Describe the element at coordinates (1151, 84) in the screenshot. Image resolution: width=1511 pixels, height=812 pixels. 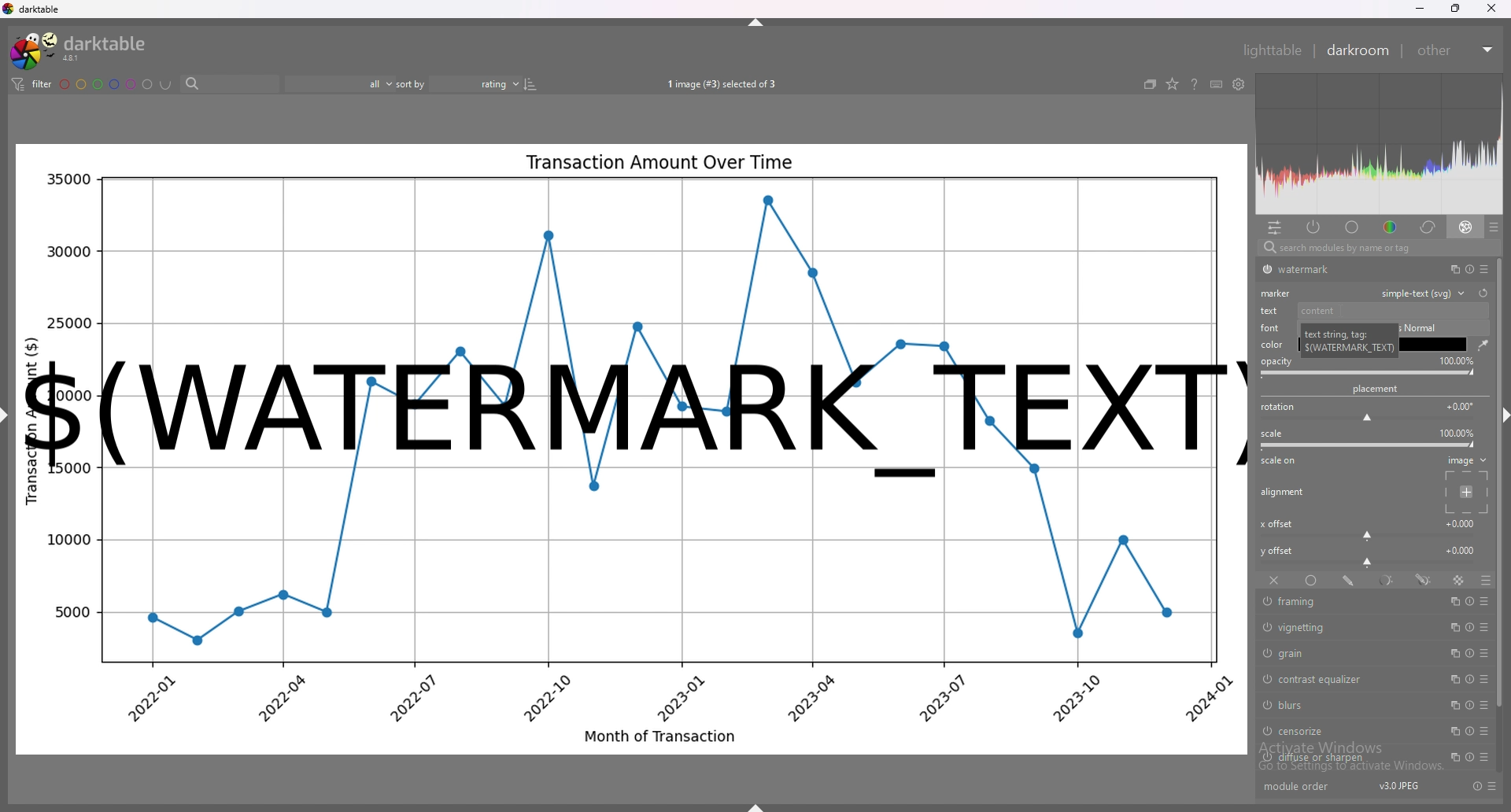
I see `create grouped images` at that location.